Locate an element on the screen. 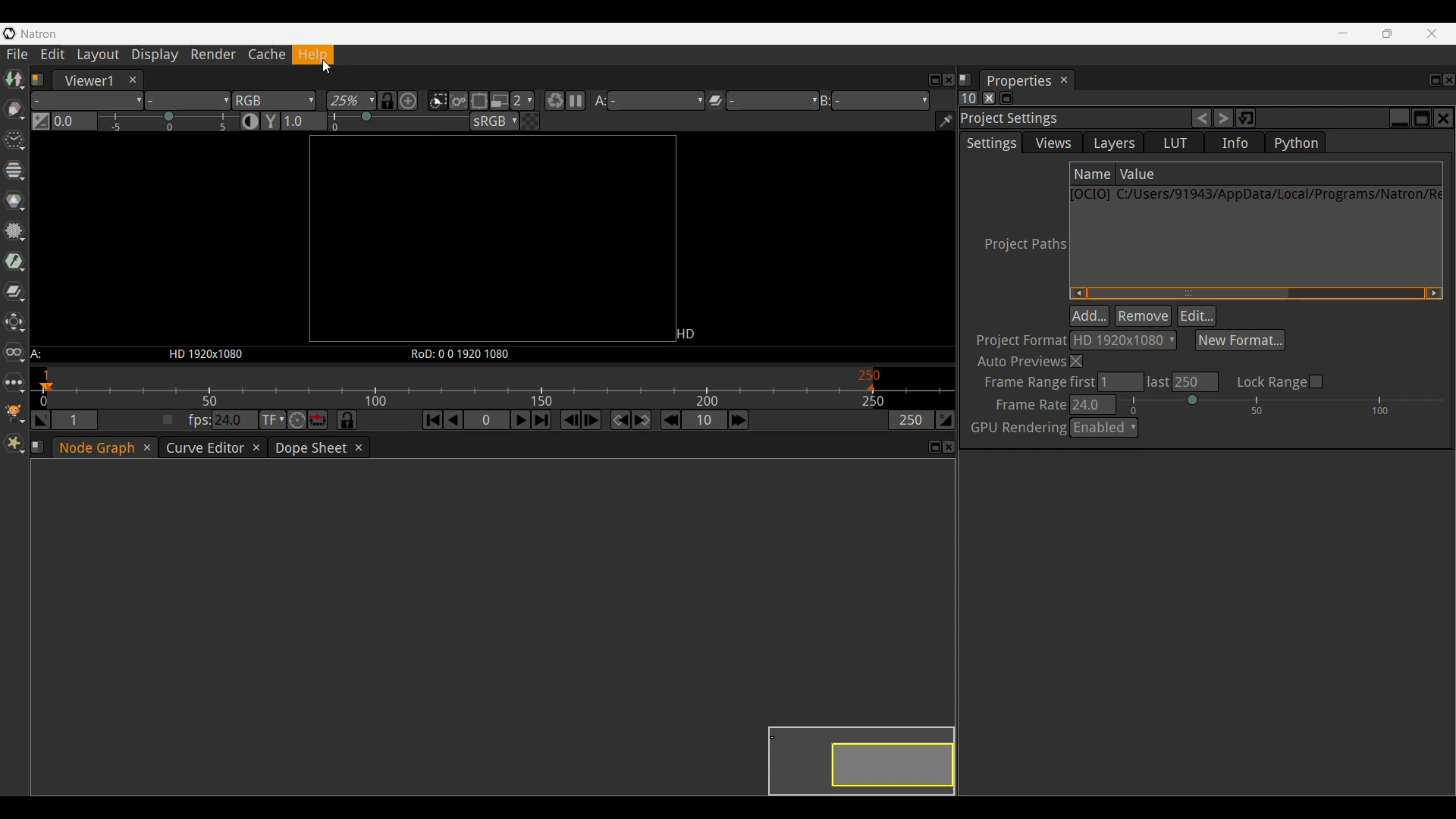 This screenshot has width=1456, height=819. Close curve editor tab is located at coordinates (257, 447).